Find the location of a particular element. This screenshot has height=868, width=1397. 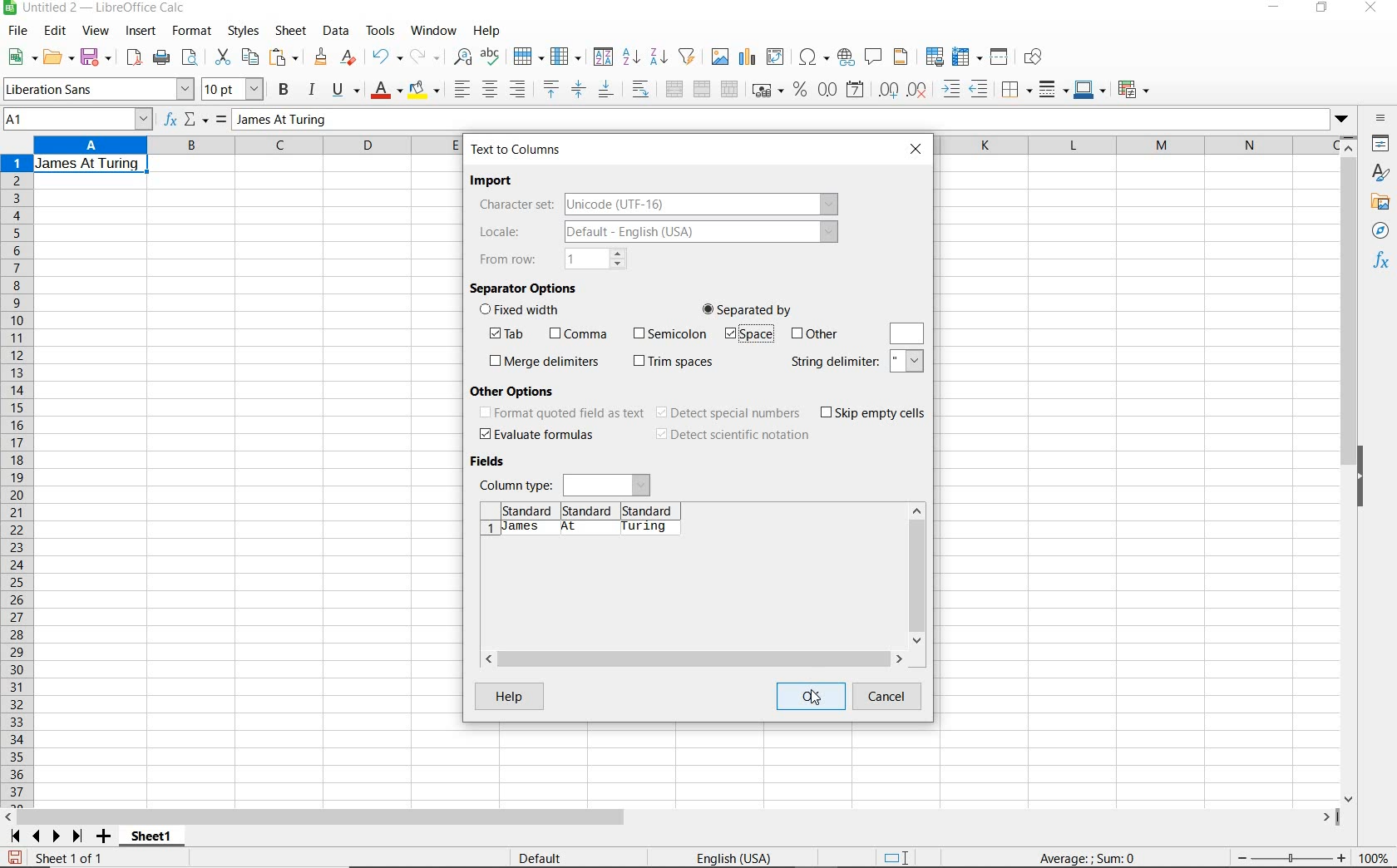

file is located at coordinates (16, 32).